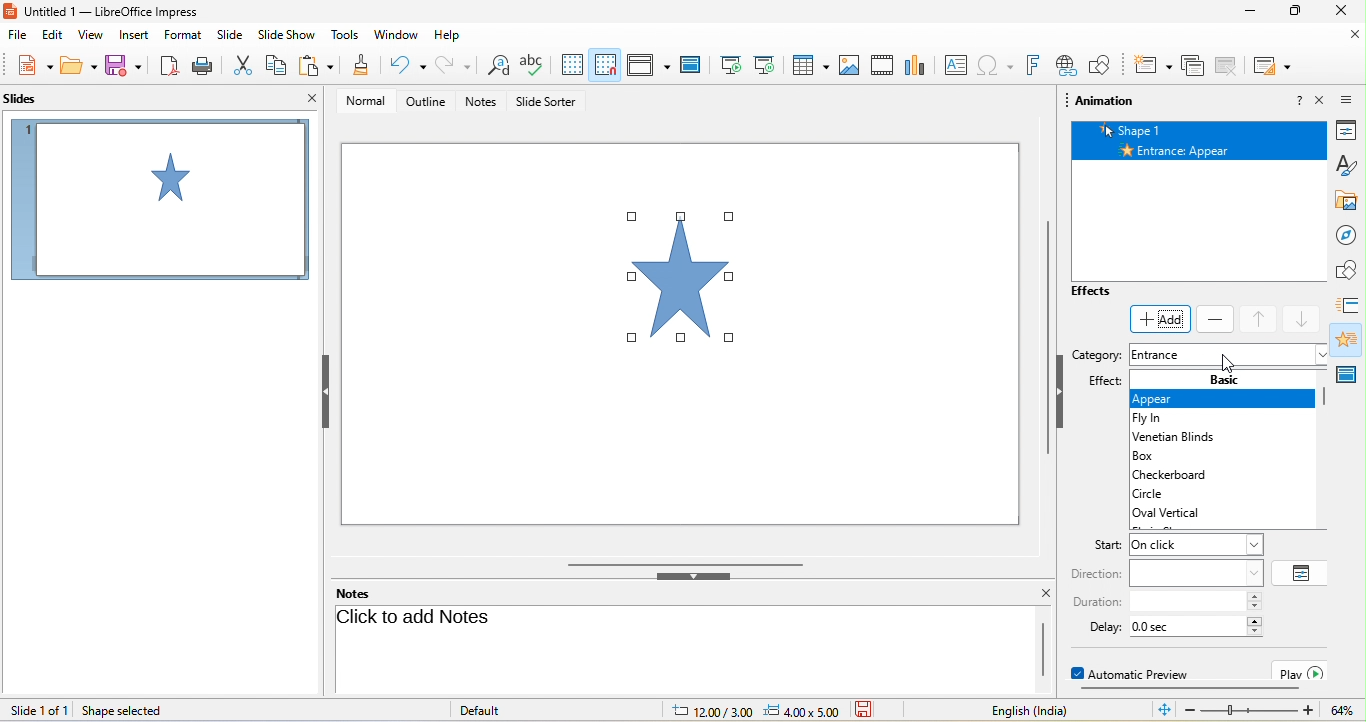 This screenshot has height=722, width=1366. Describe the element at coordinates (159, 203) in the screenshot. I see `slide1` at that location.